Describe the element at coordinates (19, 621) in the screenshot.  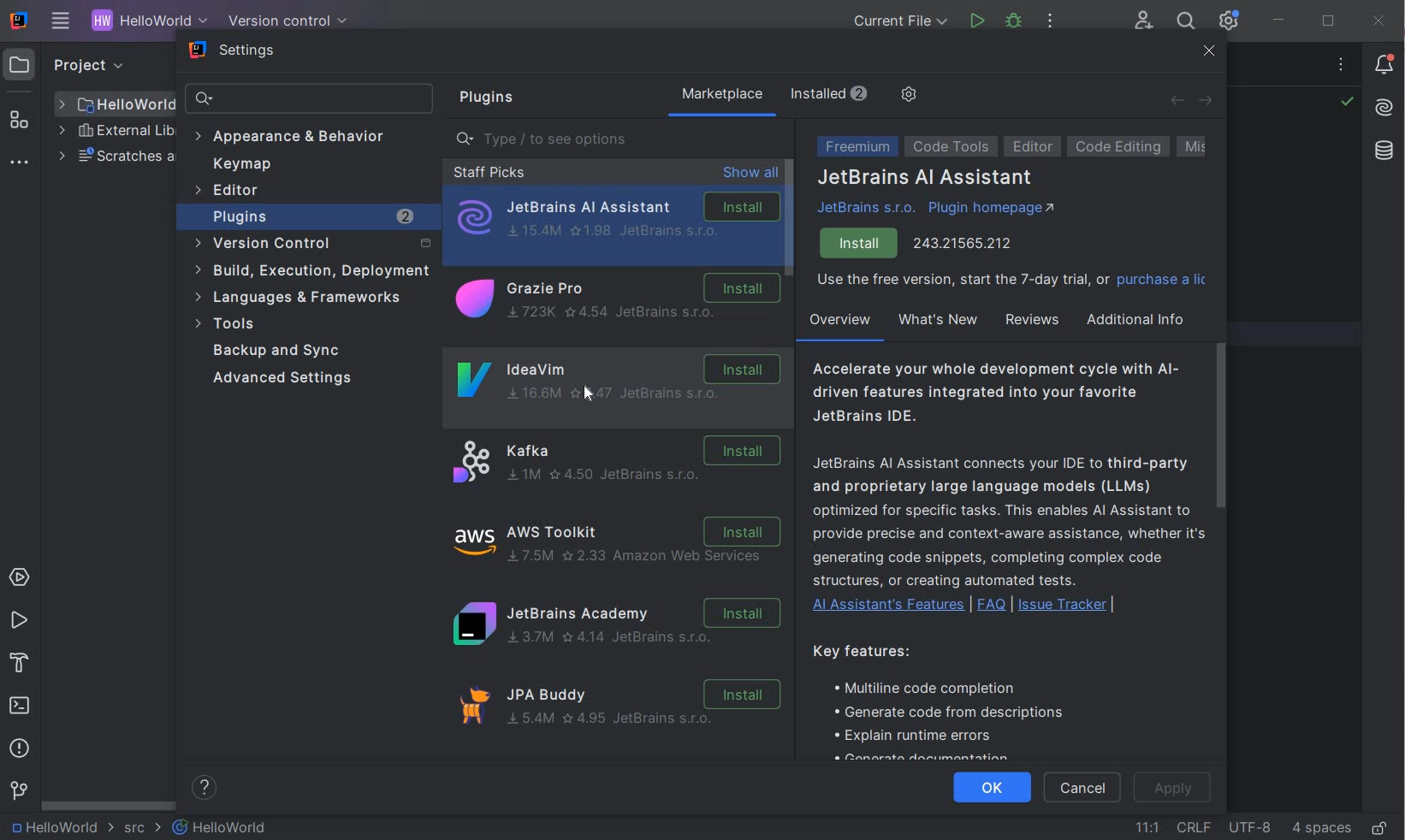
I see `RUN` at that location.